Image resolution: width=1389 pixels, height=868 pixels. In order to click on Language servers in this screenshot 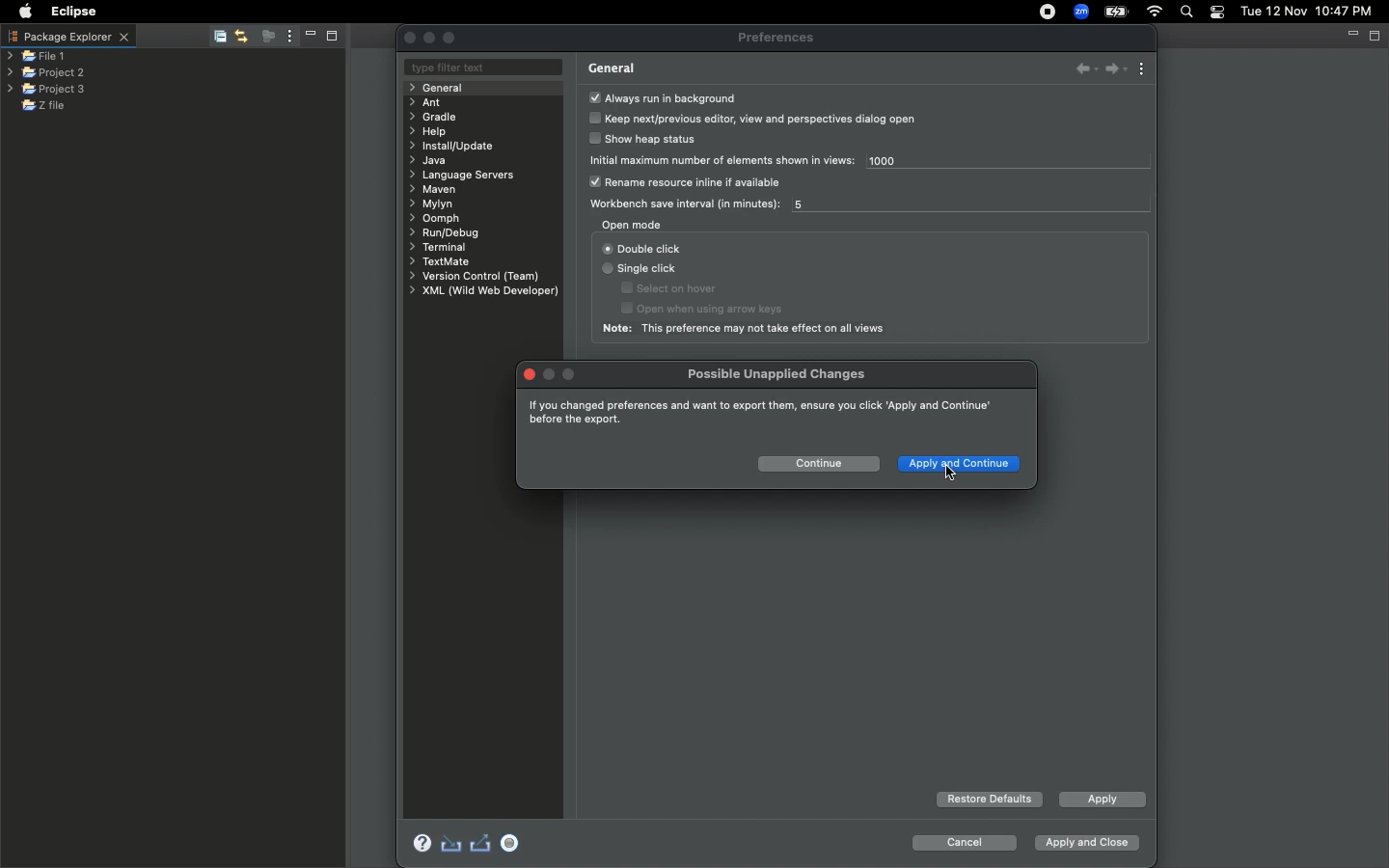, I will do `click(468, 176)`.